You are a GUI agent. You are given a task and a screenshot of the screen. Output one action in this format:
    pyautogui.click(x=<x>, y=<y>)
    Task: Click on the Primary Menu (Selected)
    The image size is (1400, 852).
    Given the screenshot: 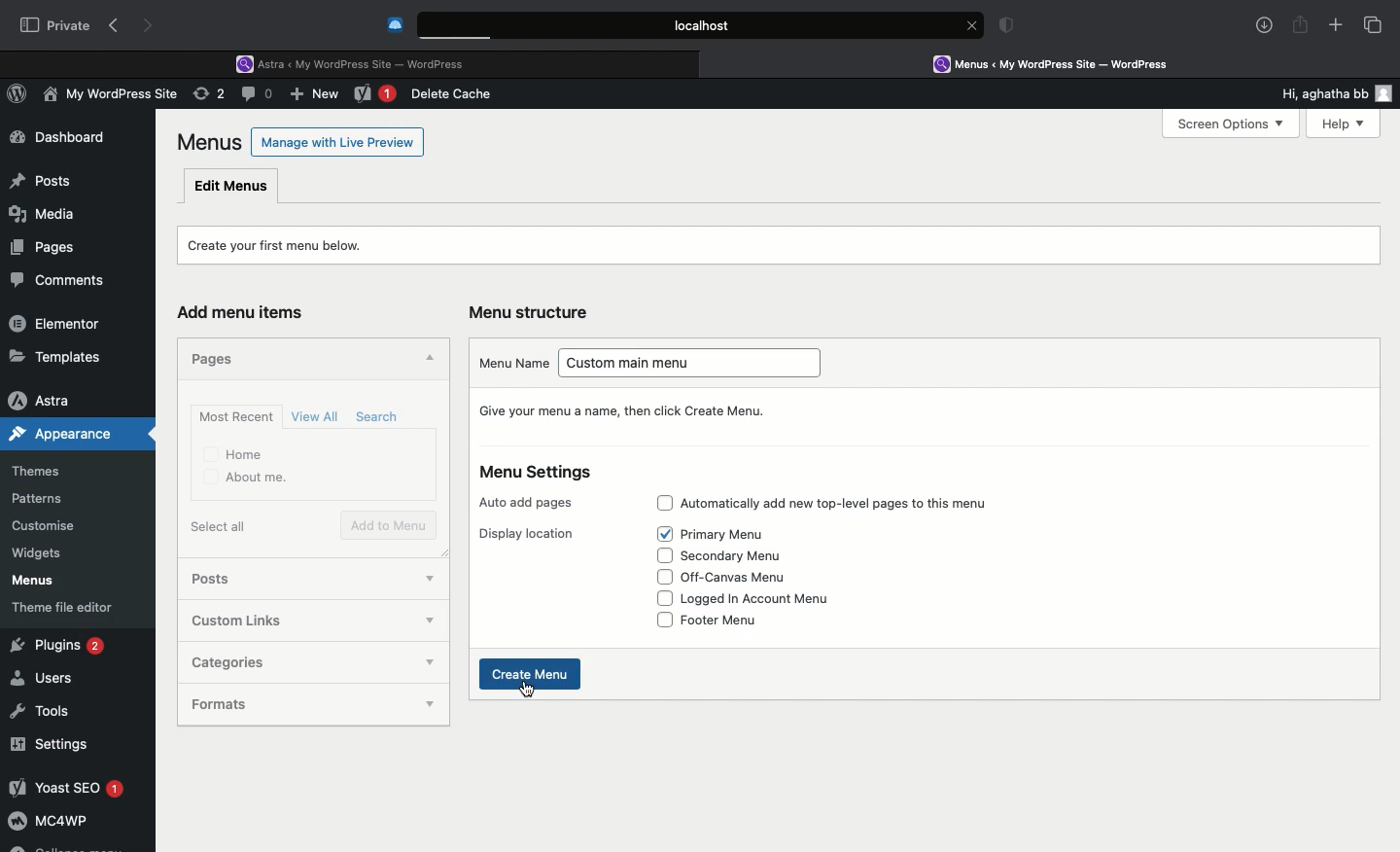 What is the action you would take?
    pyautogui.click(x=736, y=535)
    